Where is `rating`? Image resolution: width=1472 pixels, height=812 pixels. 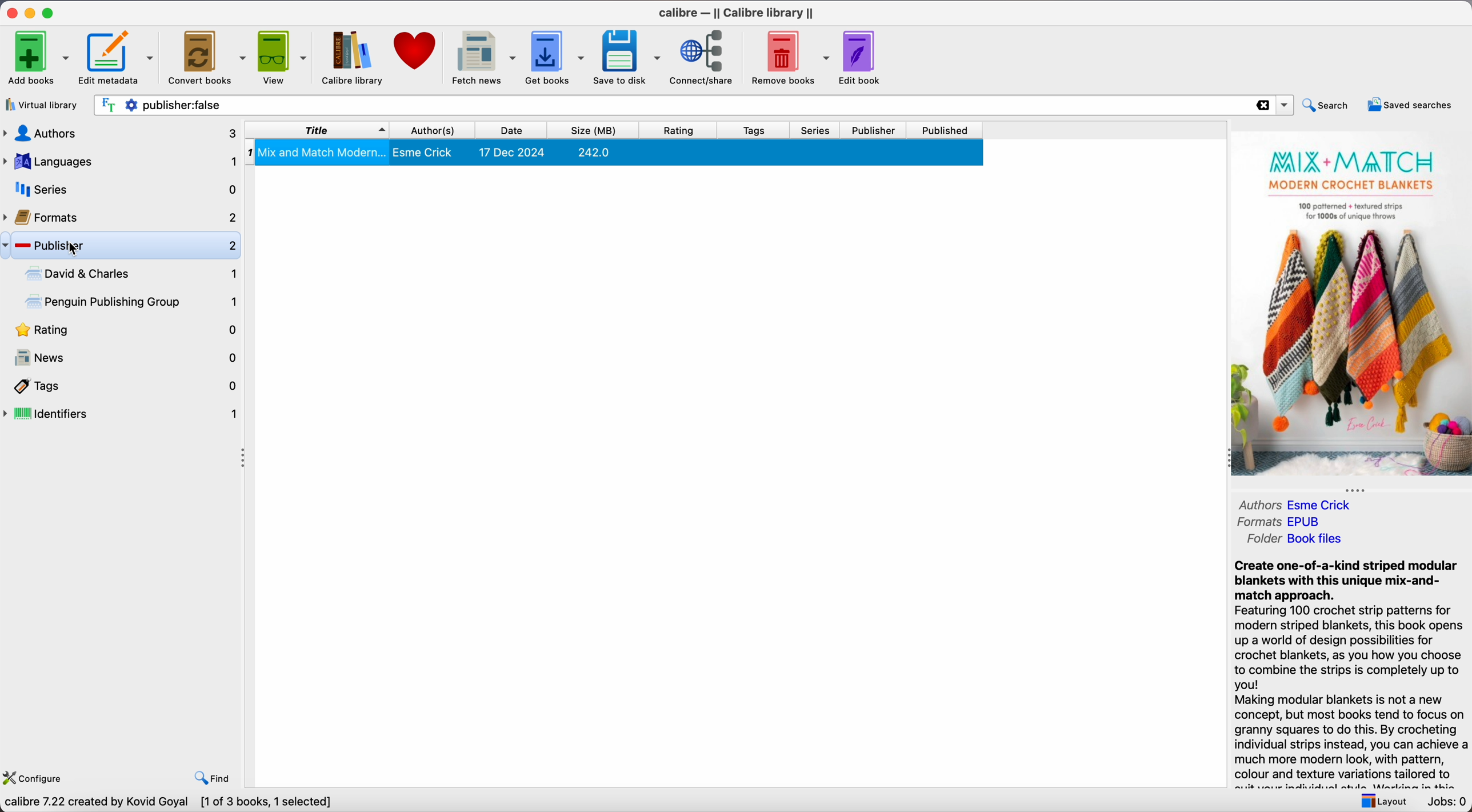
rating is located at coordinates (122, 331).